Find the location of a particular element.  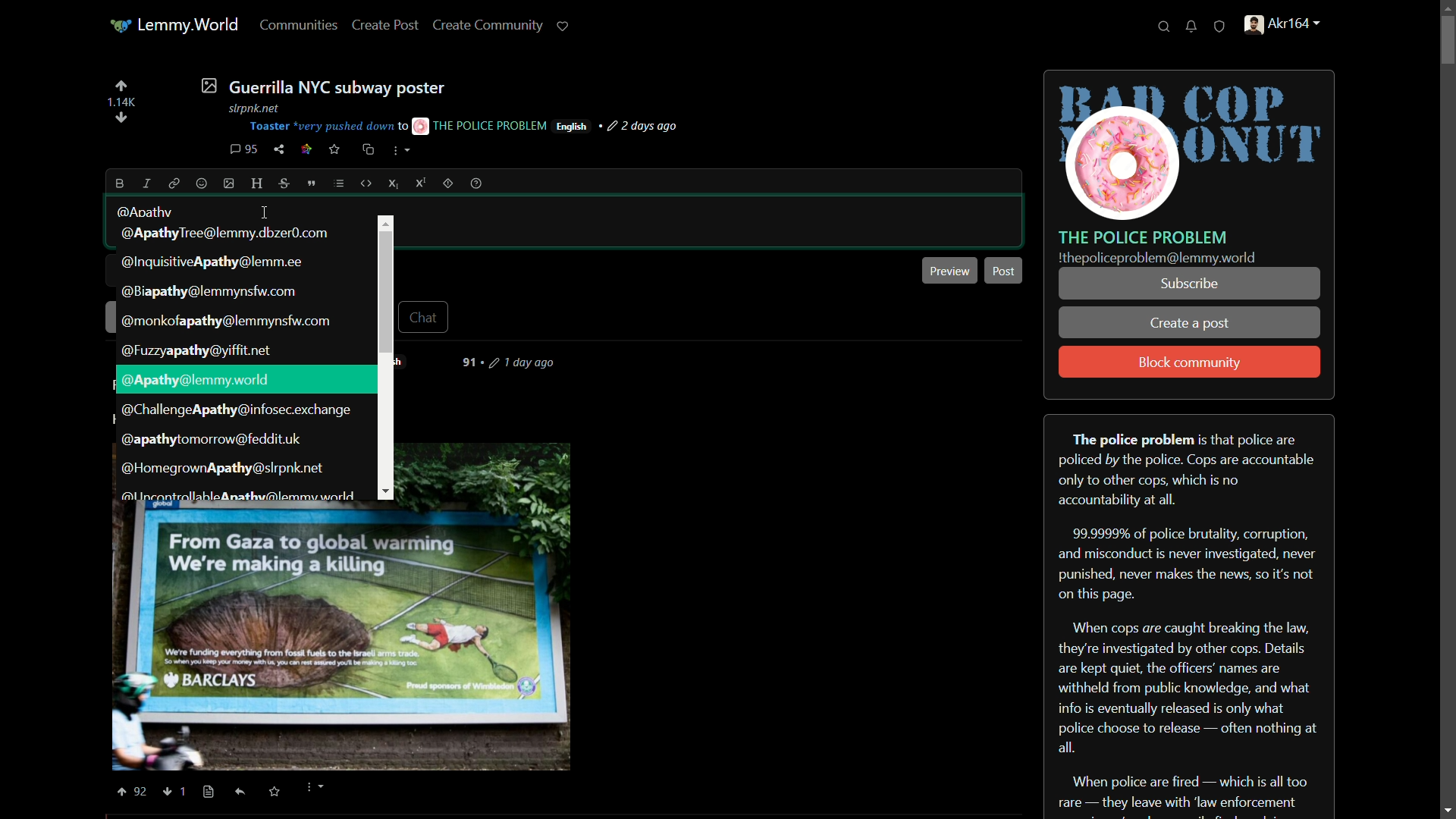

comment is located at coordinates (243, 149).